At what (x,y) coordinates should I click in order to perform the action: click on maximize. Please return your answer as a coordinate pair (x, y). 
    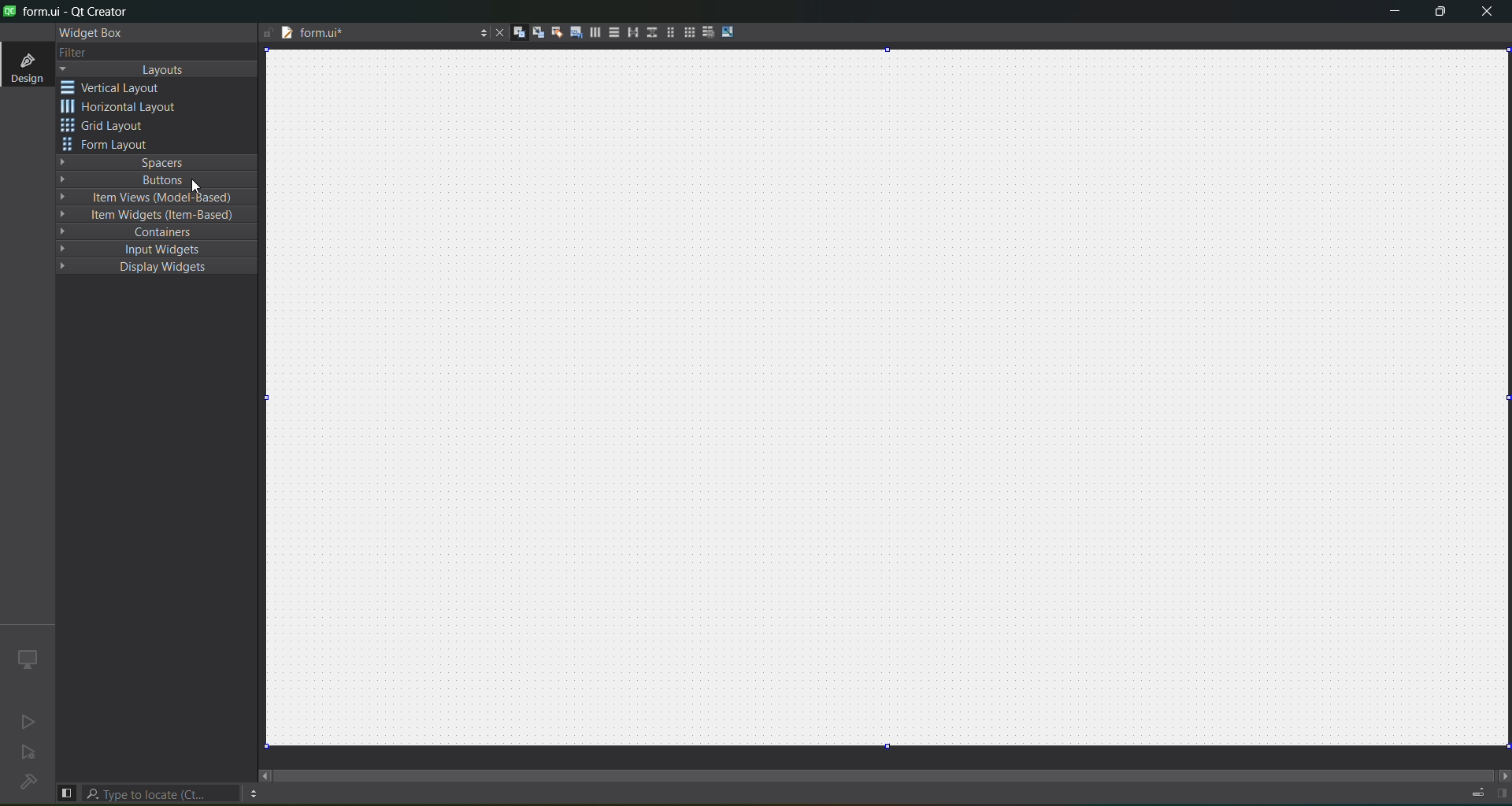
    Looking at the image, I should click on (1438, 13).